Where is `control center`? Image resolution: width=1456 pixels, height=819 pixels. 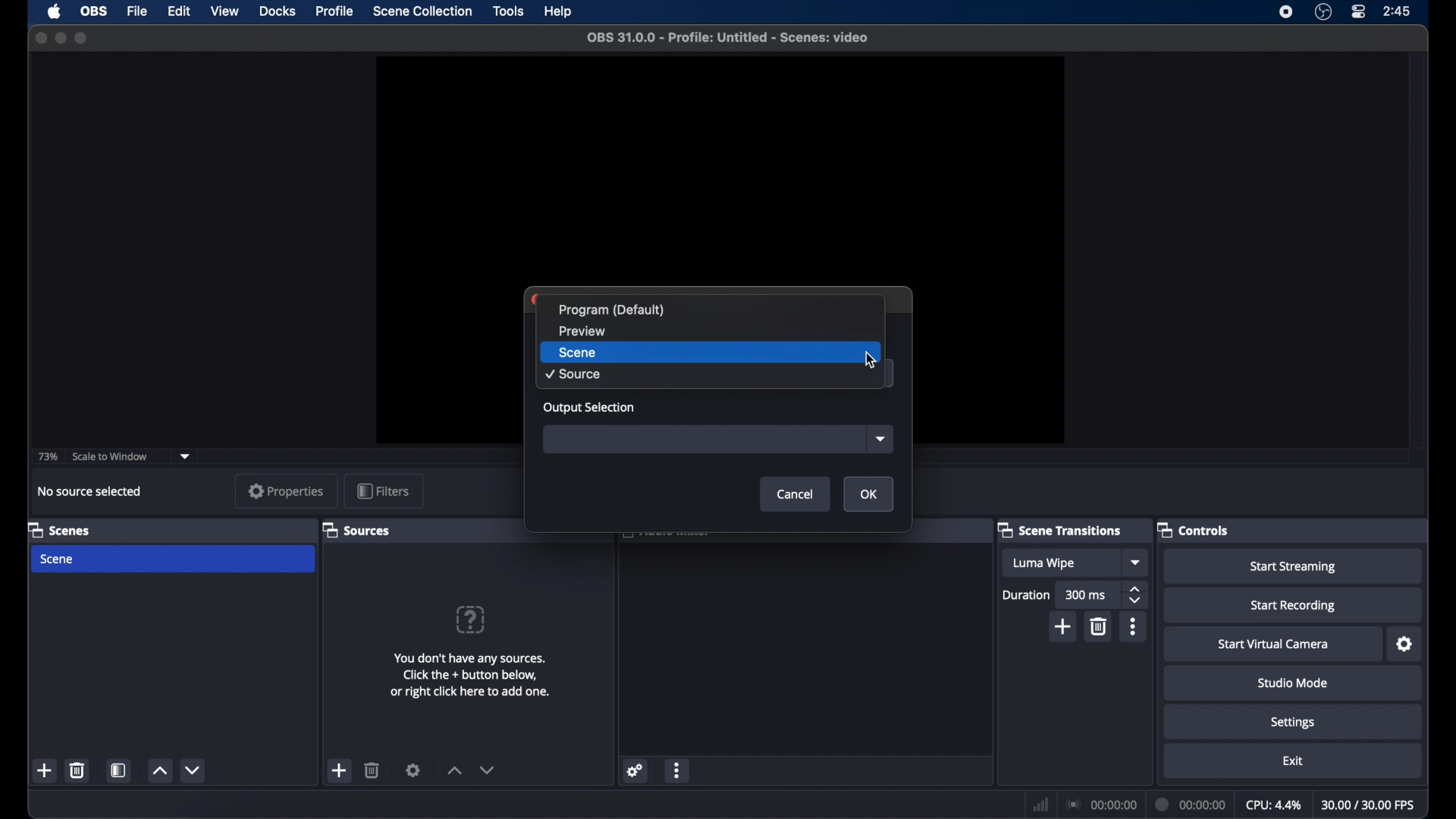
control center is located at coordinates (1360, 12).